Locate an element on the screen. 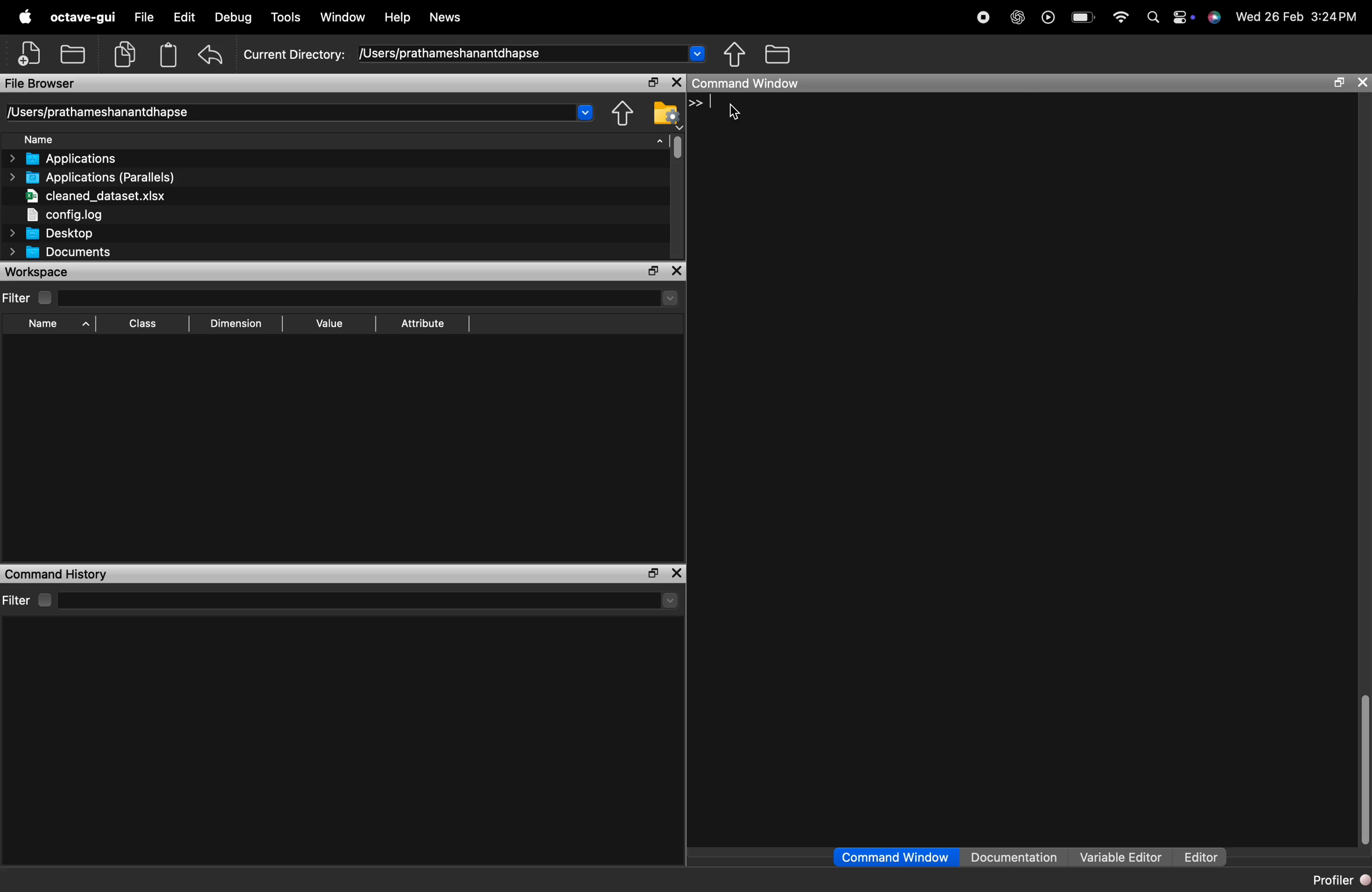 This screenshot has height=892, width=1372. File is located at coordinates (144, 19).